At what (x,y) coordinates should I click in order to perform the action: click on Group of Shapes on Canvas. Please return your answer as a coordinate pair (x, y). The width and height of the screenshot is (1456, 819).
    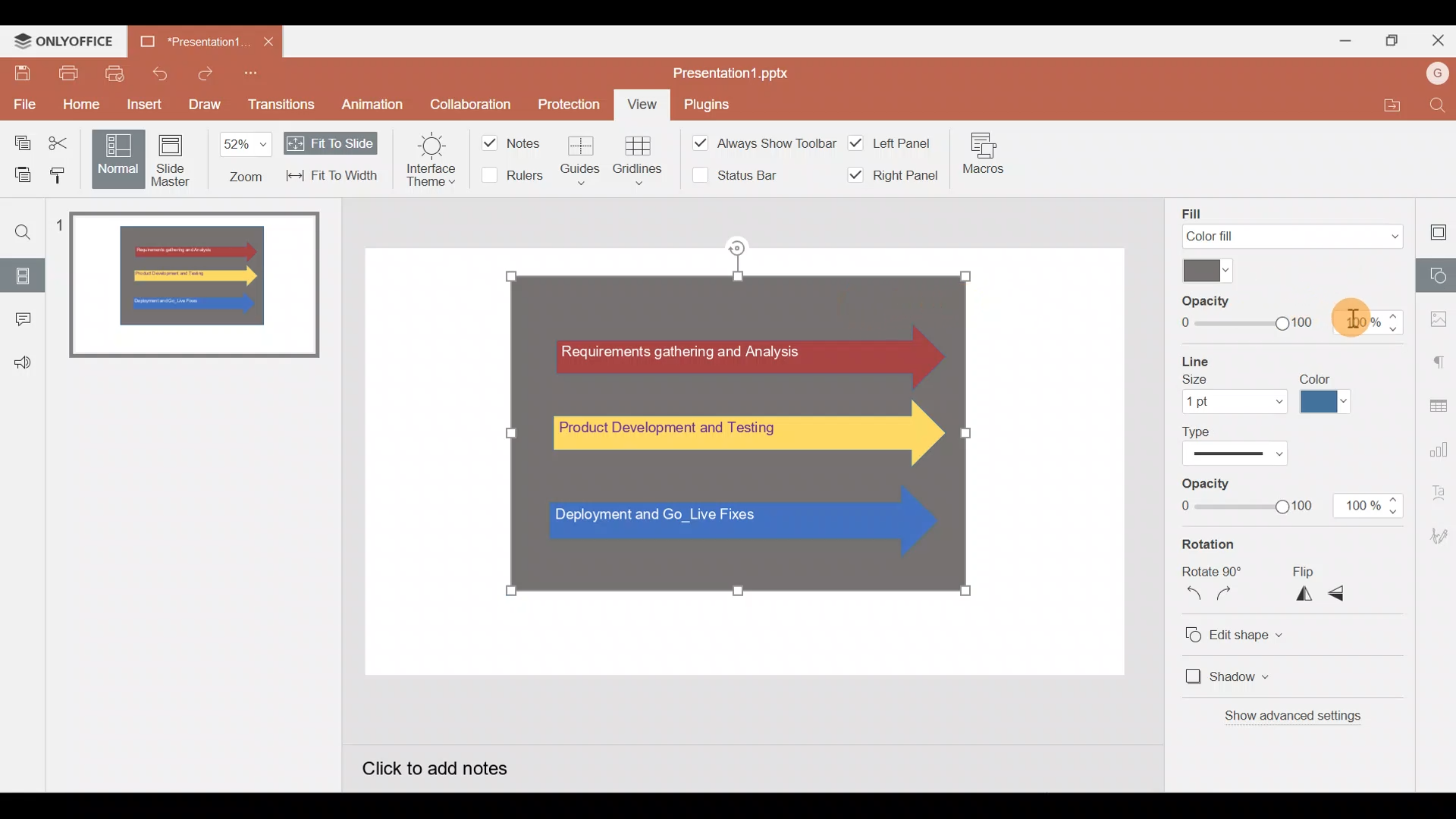
    Looking at the image, I should click on (740, 431).